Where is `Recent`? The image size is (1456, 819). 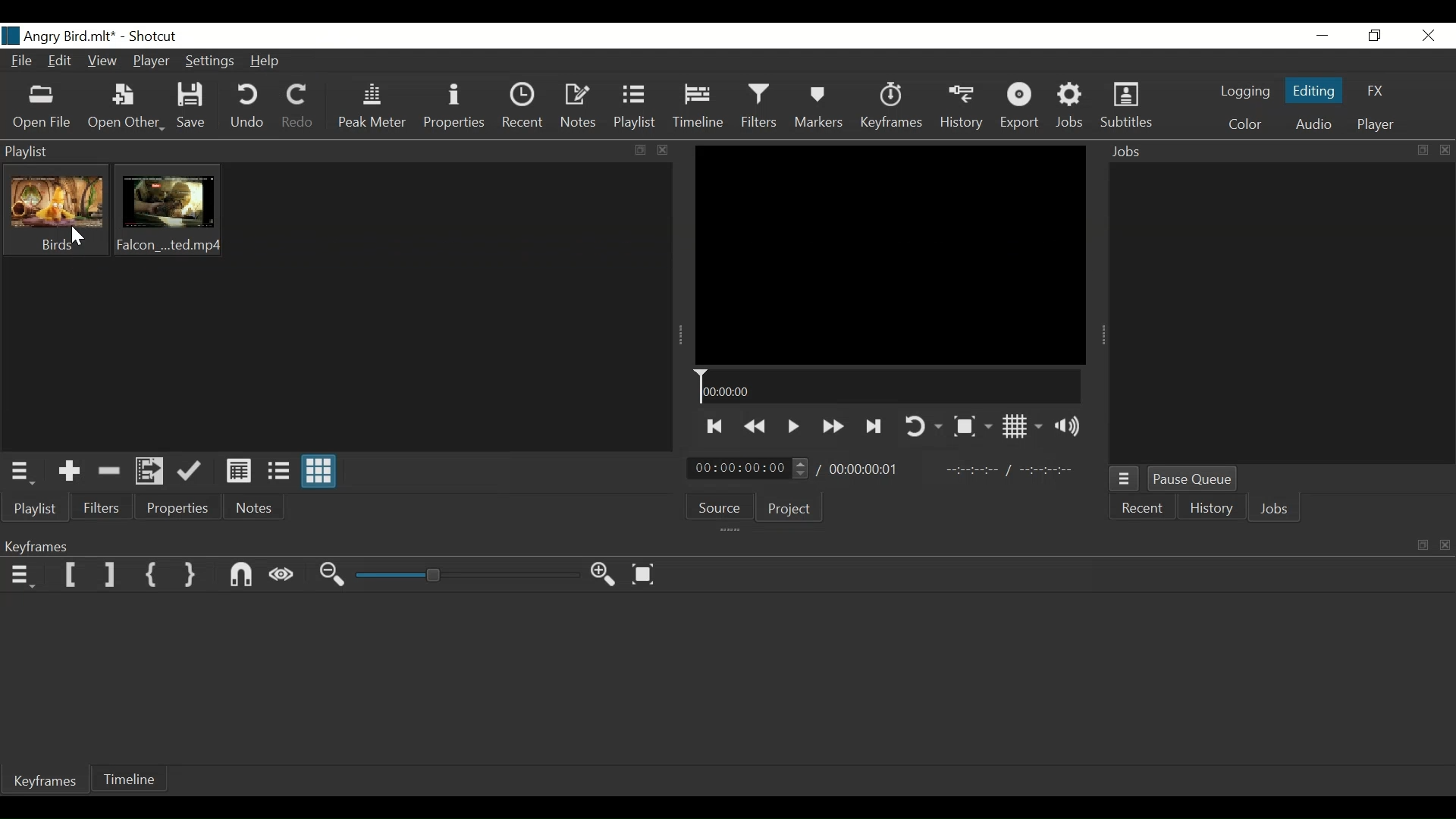
Recent is located at coordinates (1145, 509).